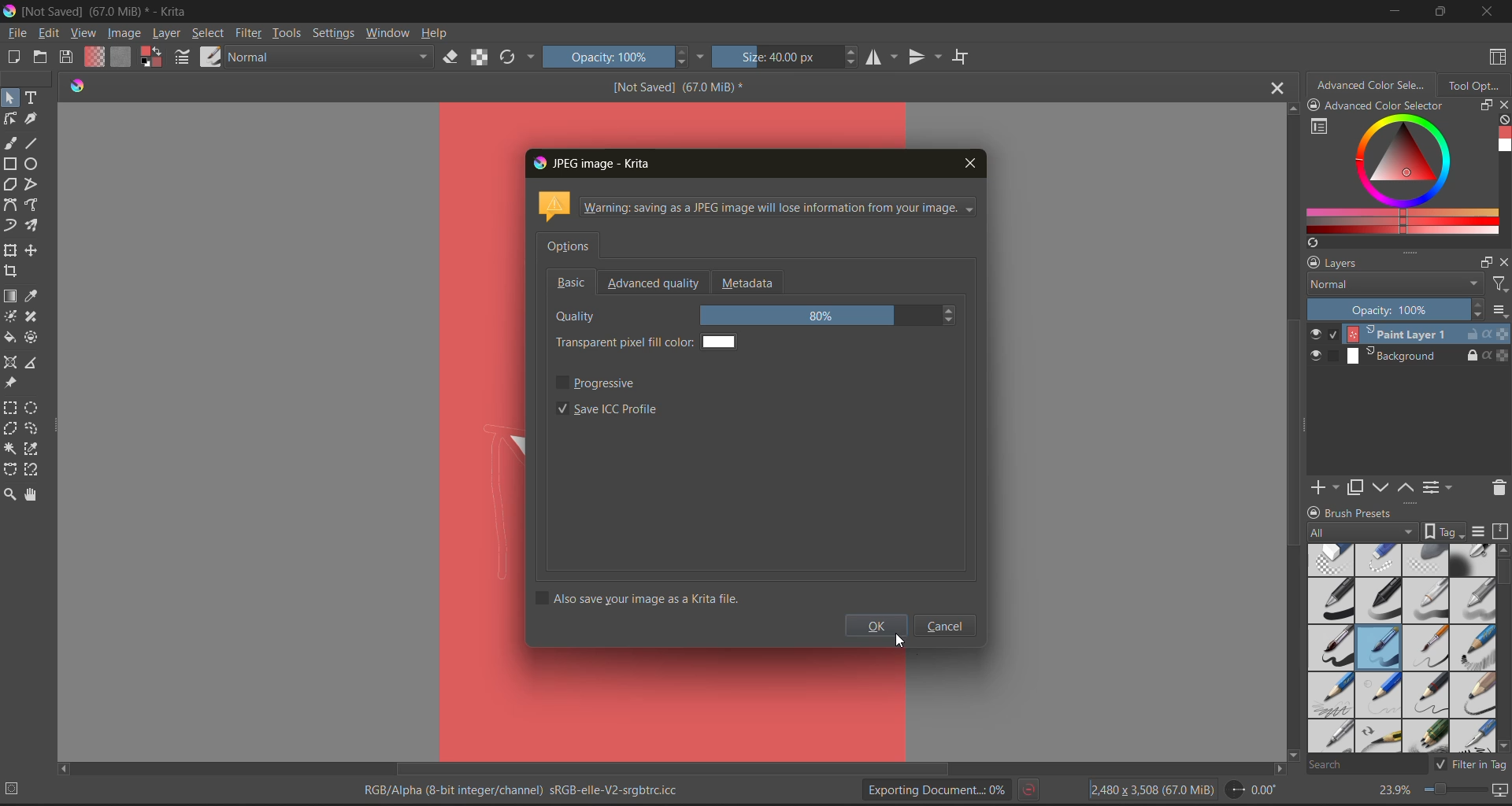  Describe the element at coordinates (1317, 106) in the screenshot. I see `lock/unlock docker` at that location.